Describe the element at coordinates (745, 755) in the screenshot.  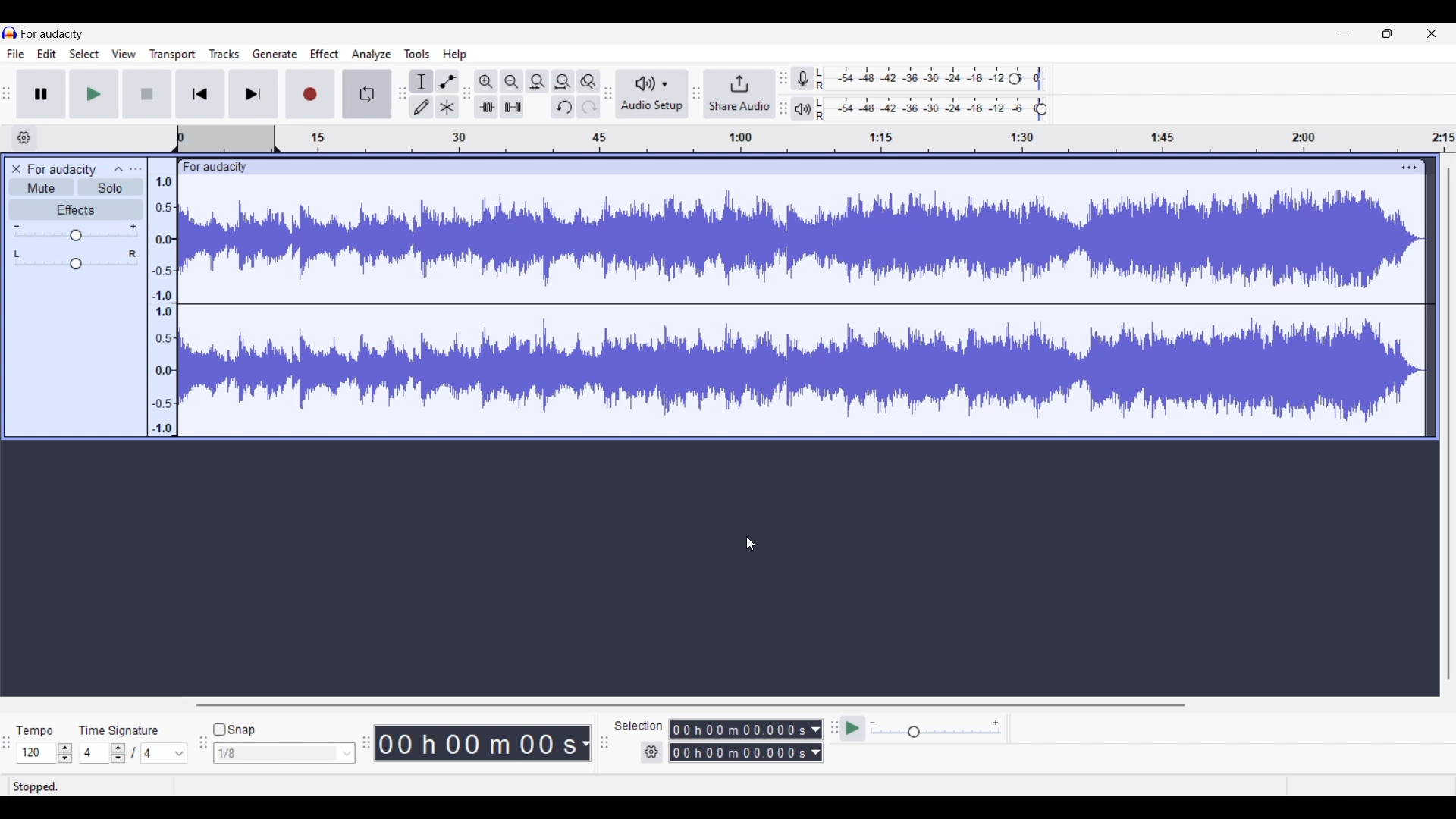
I see `00h00m00.000s` at that location.